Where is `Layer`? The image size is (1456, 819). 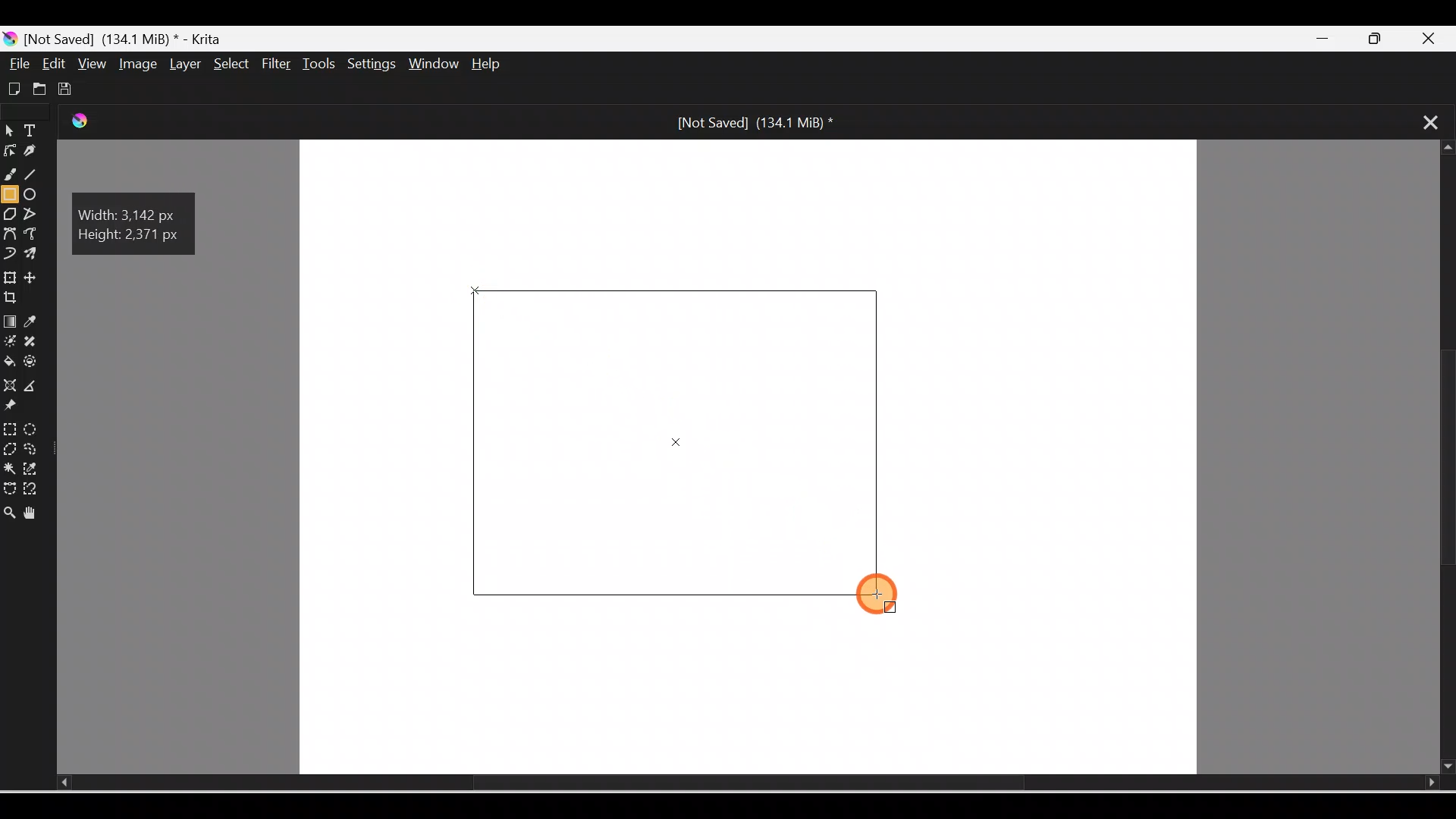 Layer is located at coordinates (182, 64).